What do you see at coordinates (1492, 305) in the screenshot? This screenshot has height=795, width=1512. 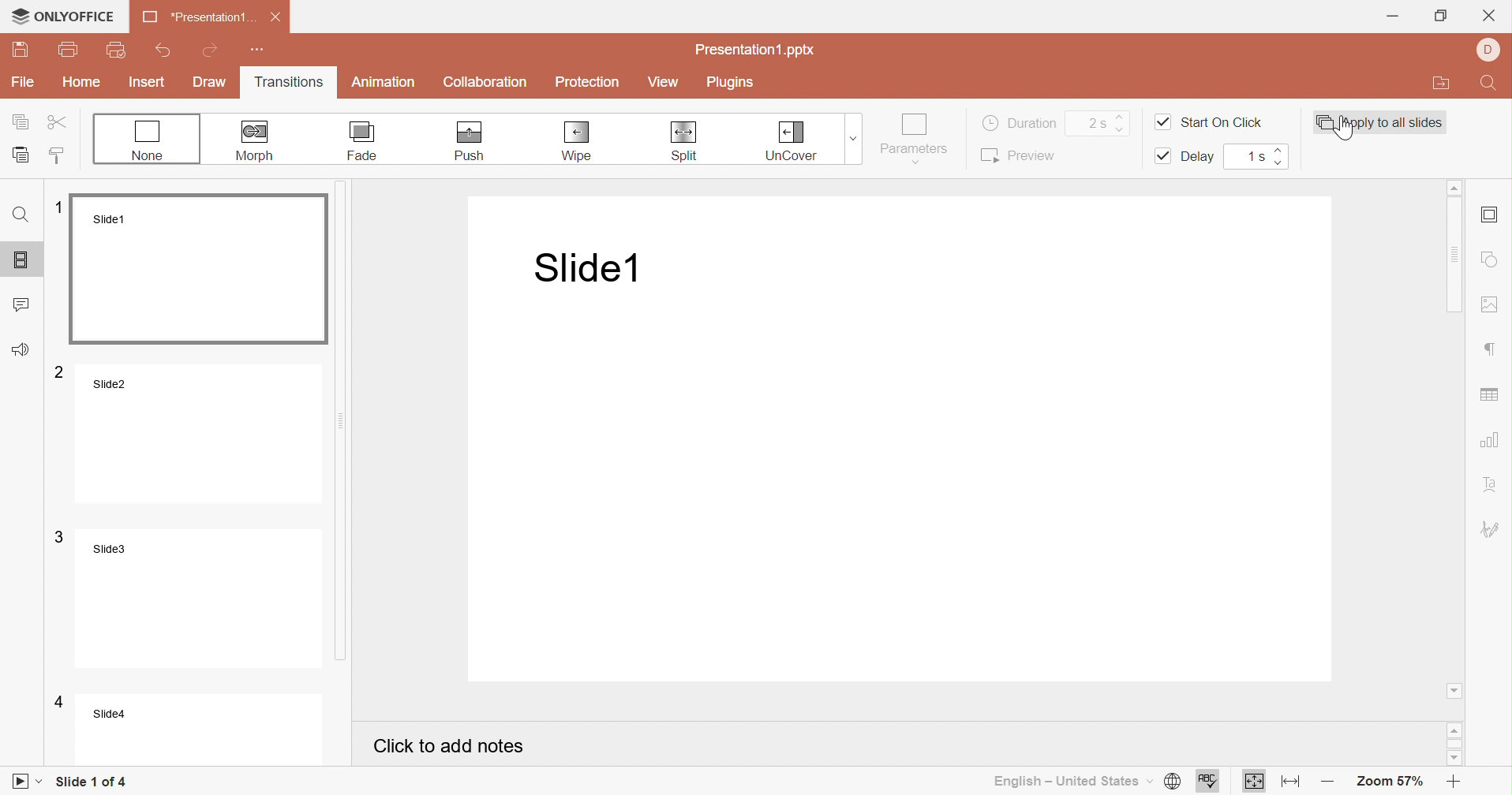 I see `Insert image` at bounding box center [1492, 305].